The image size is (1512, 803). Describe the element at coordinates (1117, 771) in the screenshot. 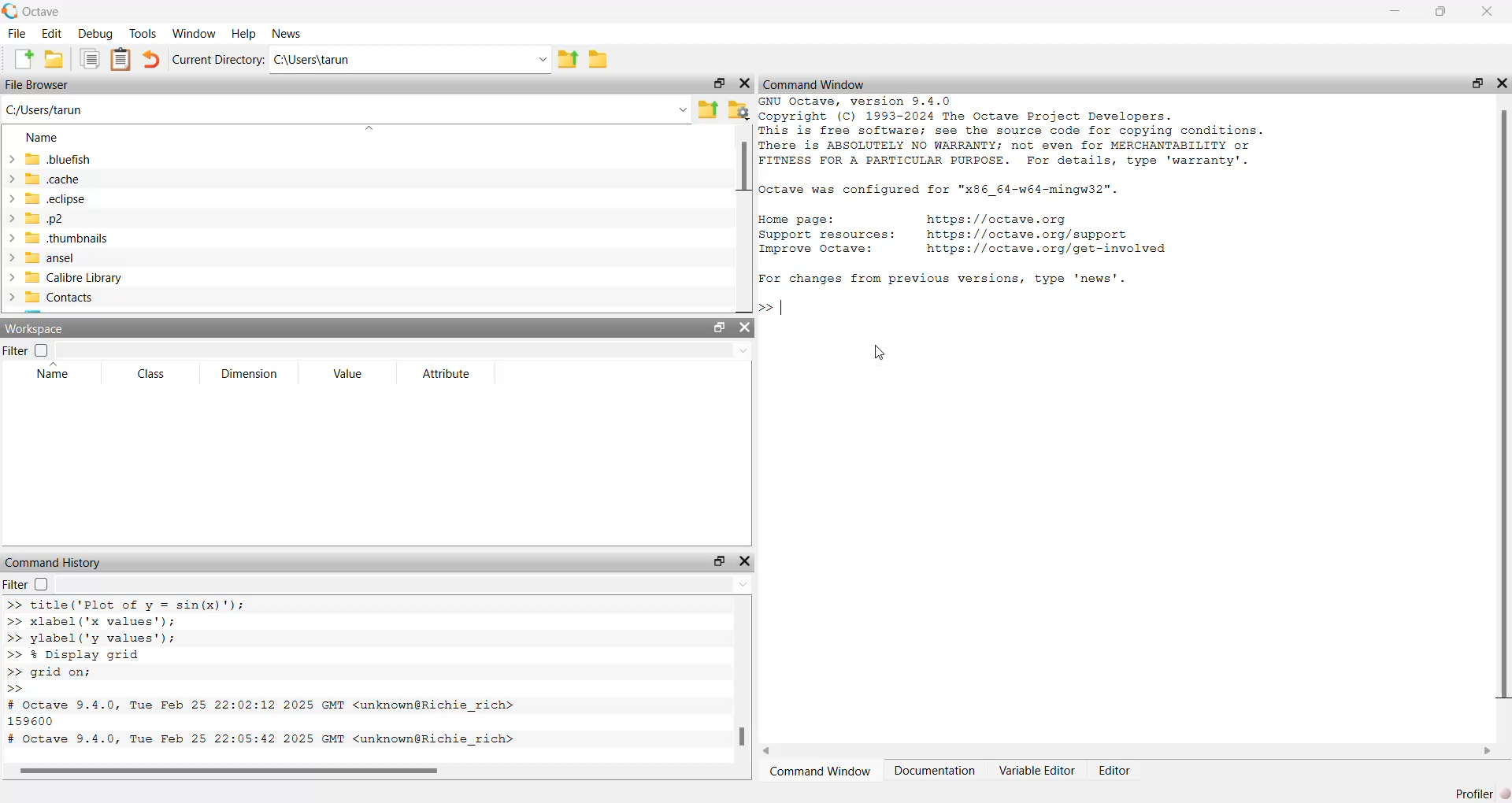

I see `Editor` at that location.